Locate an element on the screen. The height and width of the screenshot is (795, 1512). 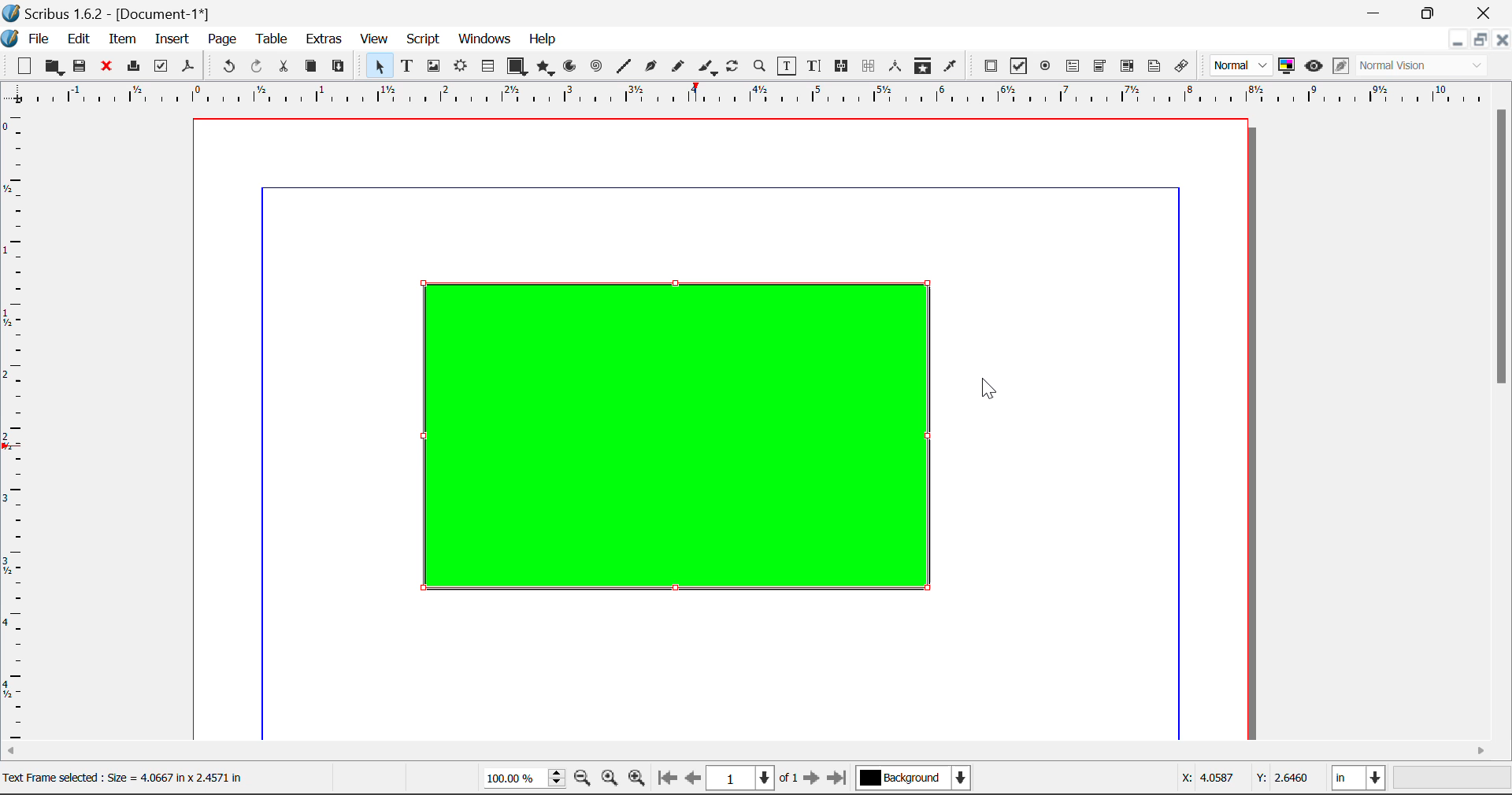
Zoom 100% is located at coordinates (524, 779).